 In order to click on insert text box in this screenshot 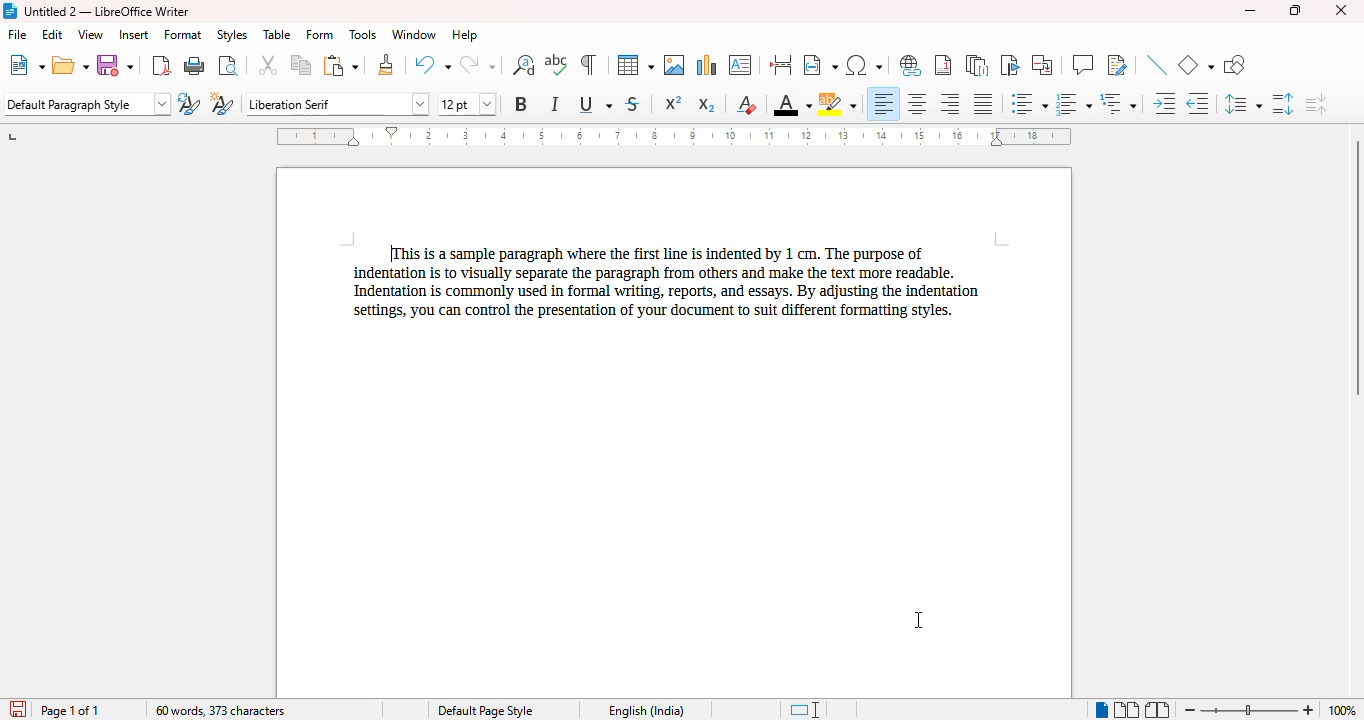, I will do `click(742, 65)`.